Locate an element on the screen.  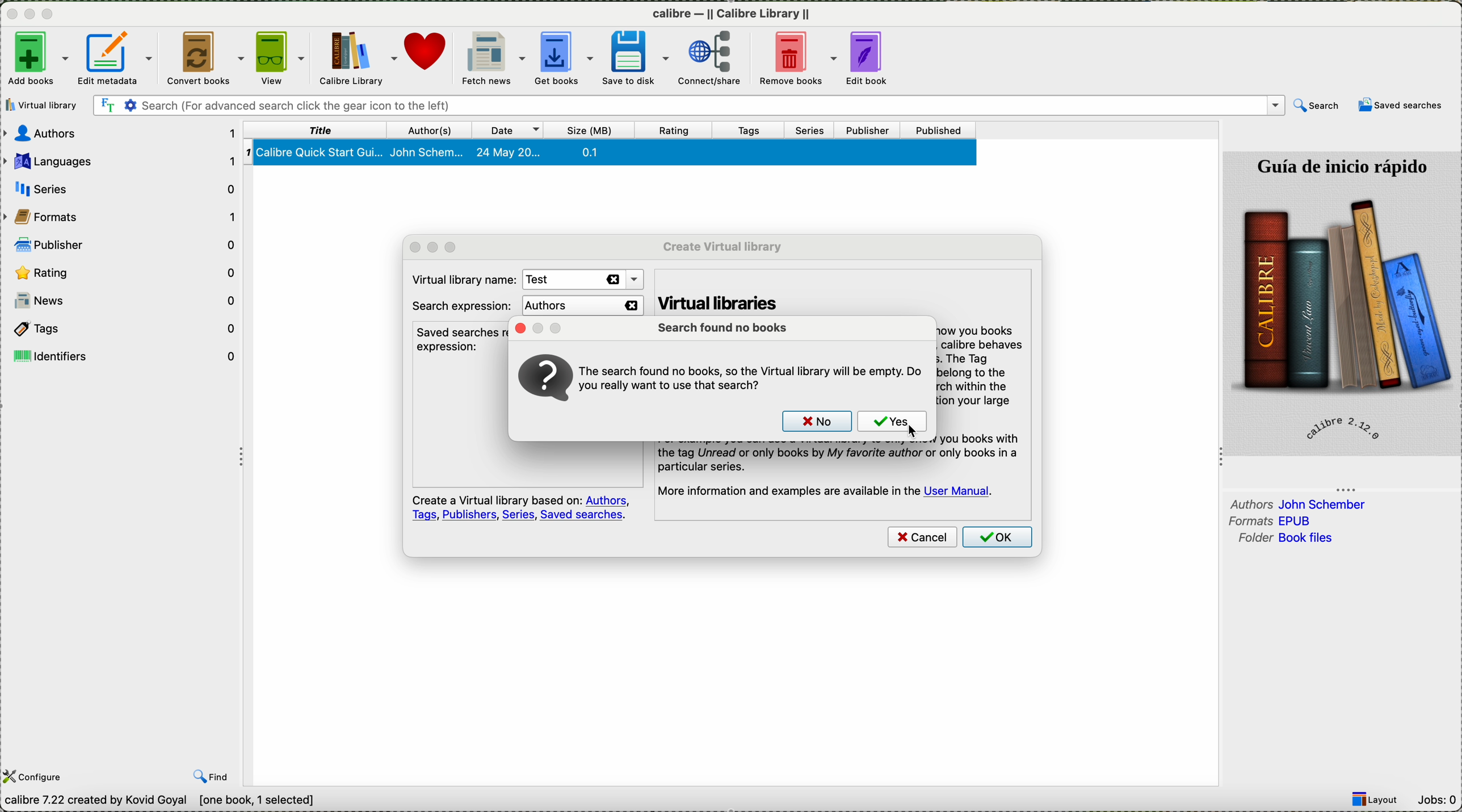
Jobs: 0 is located at coordinates (1439, 800).